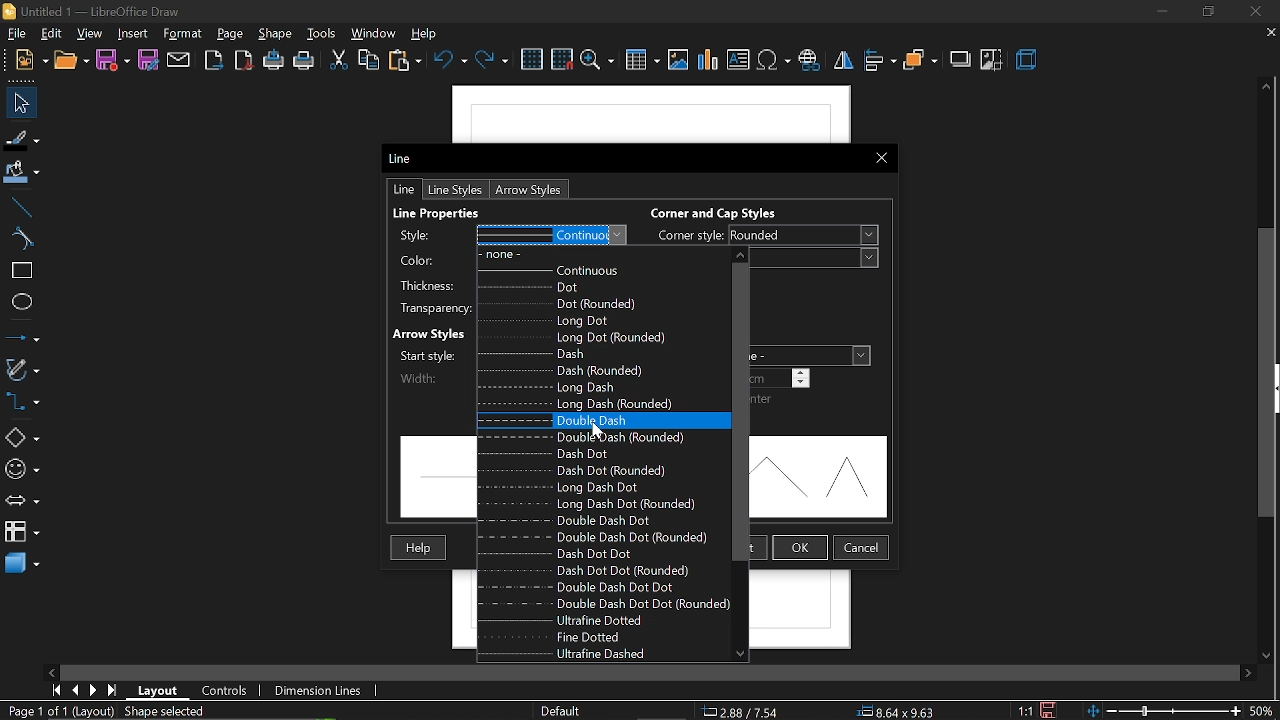 The image size is (1280, 720). I want to click on page style (Default), so click(565, 710).